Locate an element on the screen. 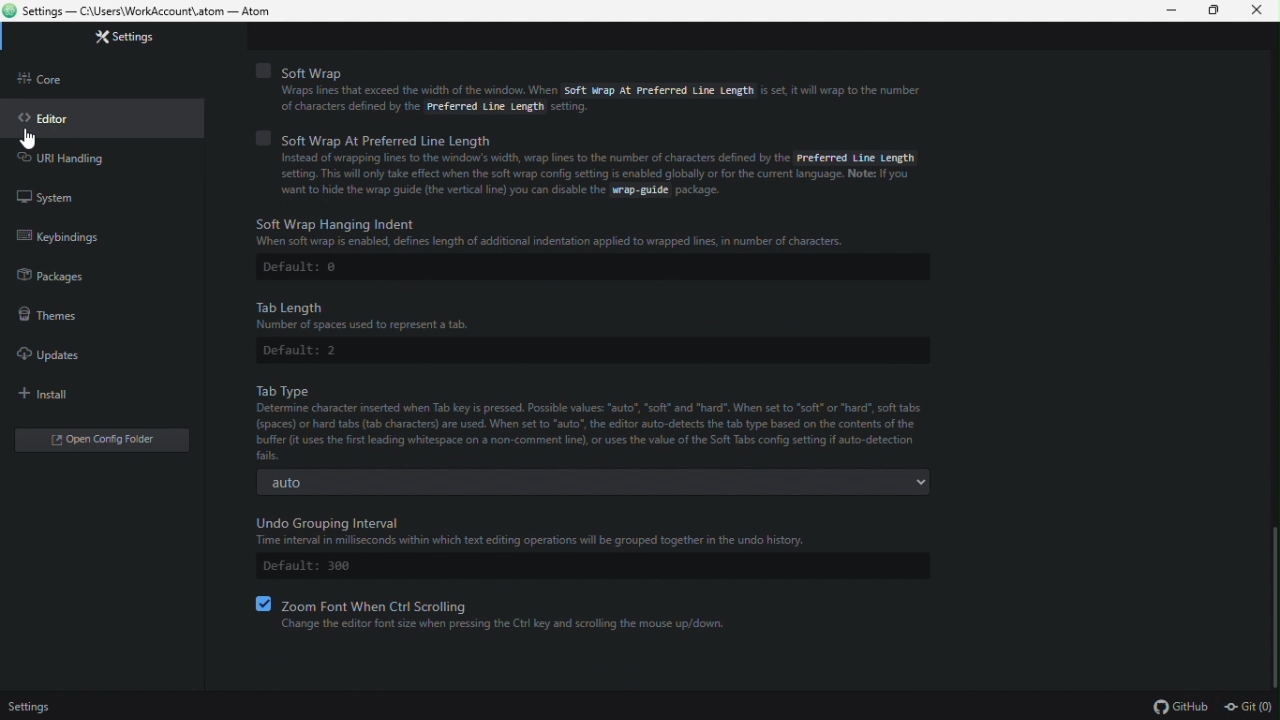  github is located at coordinates (1181, 705).